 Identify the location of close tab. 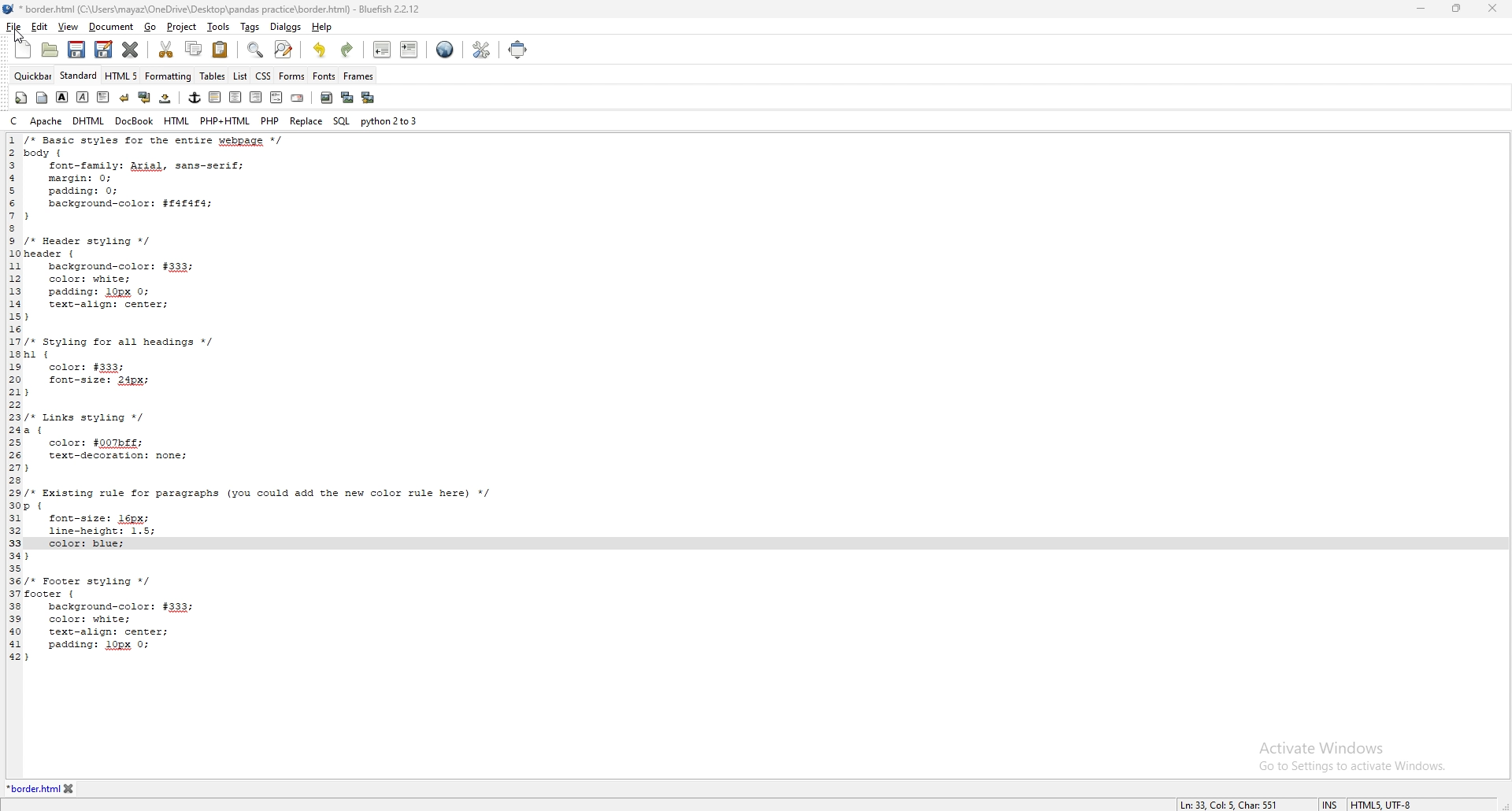
(69, 788).